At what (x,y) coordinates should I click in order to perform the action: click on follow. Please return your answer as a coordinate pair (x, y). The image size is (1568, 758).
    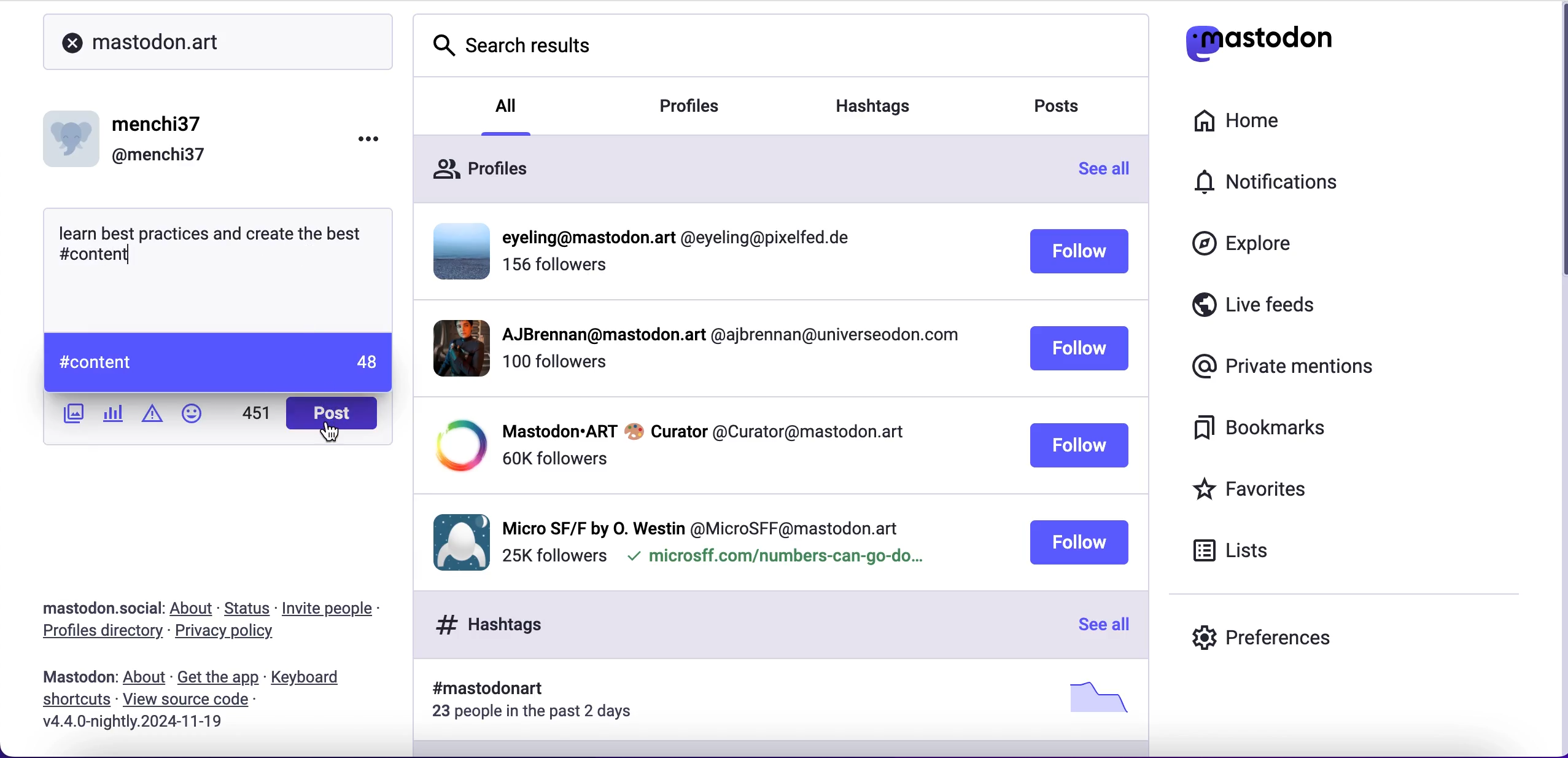
    Looking at the image, I should click on (1079, 253).